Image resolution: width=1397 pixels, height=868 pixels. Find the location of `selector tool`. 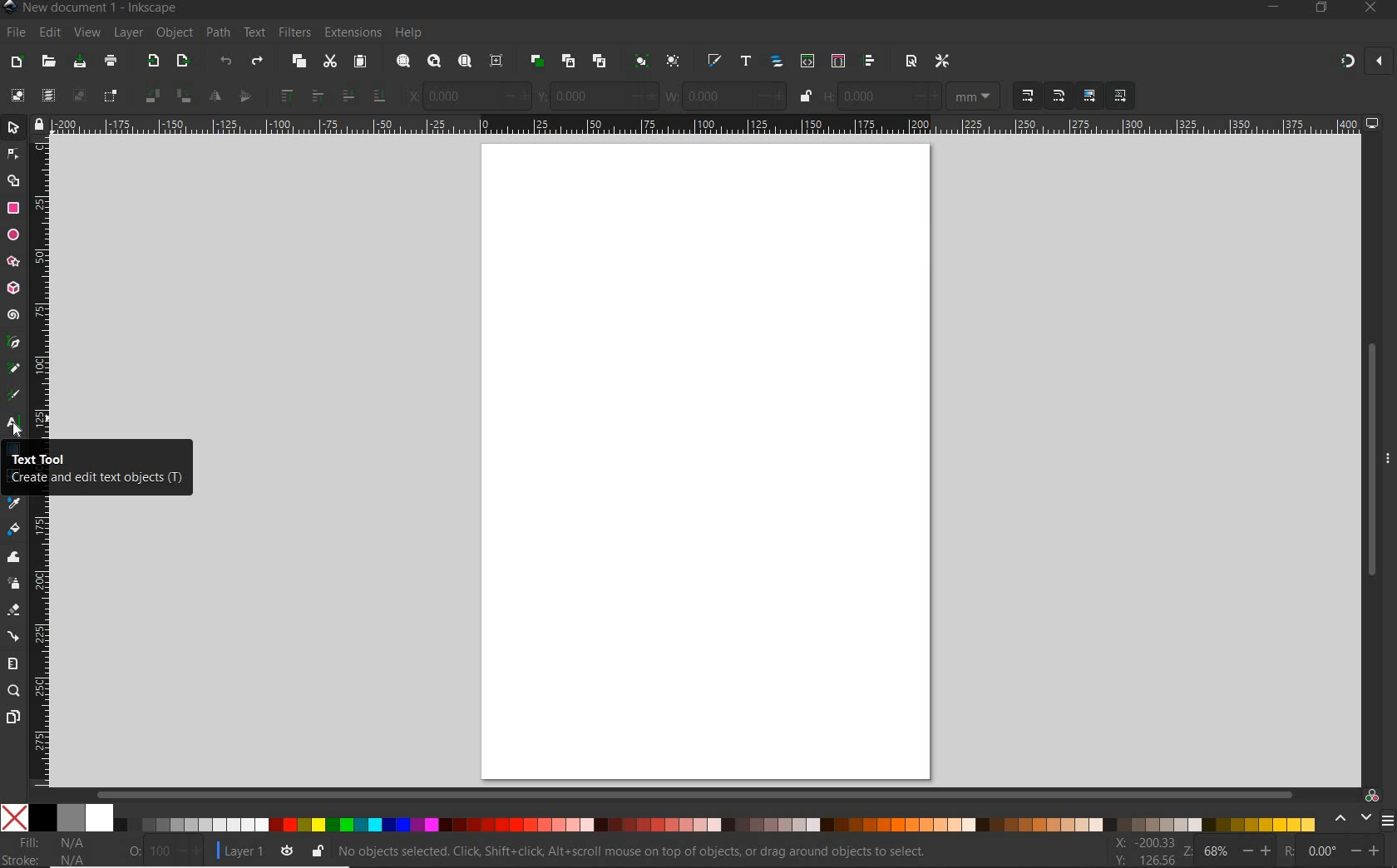

selector tool is located at coordinates (13, 127).